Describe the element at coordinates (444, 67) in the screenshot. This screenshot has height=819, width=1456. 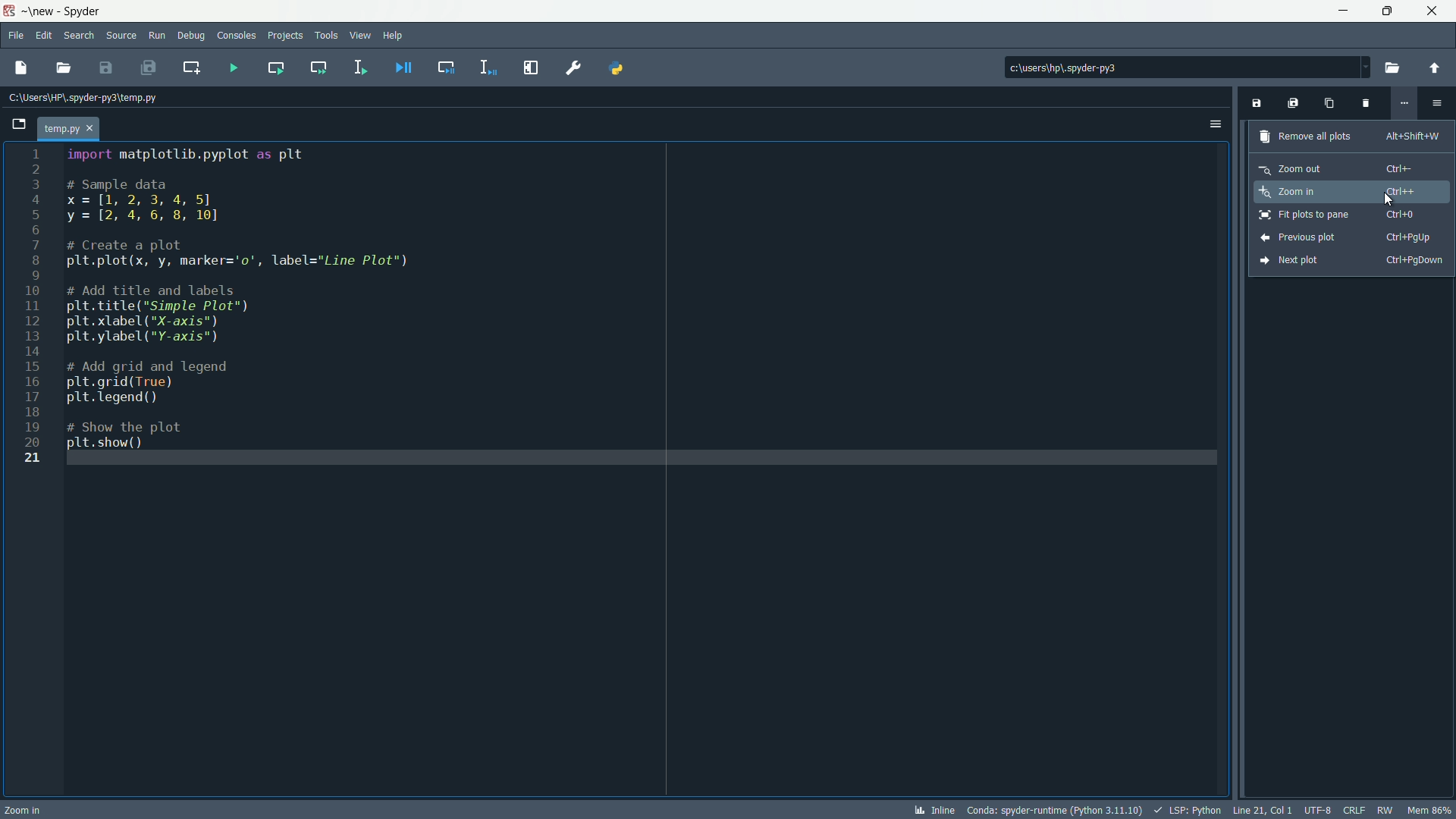
I see `debug cell` at that location.